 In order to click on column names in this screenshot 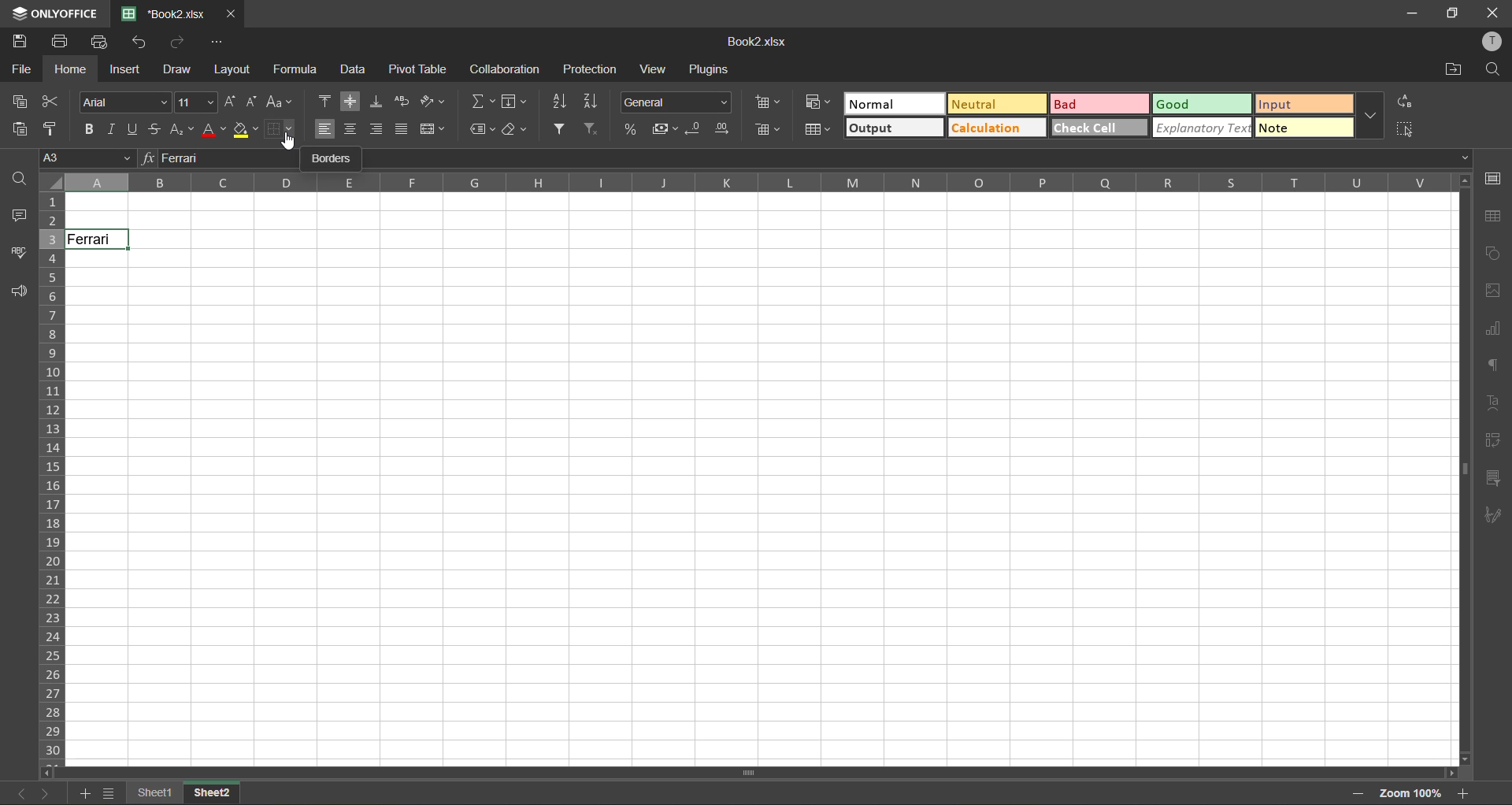, I will do `click(754, 181)`.